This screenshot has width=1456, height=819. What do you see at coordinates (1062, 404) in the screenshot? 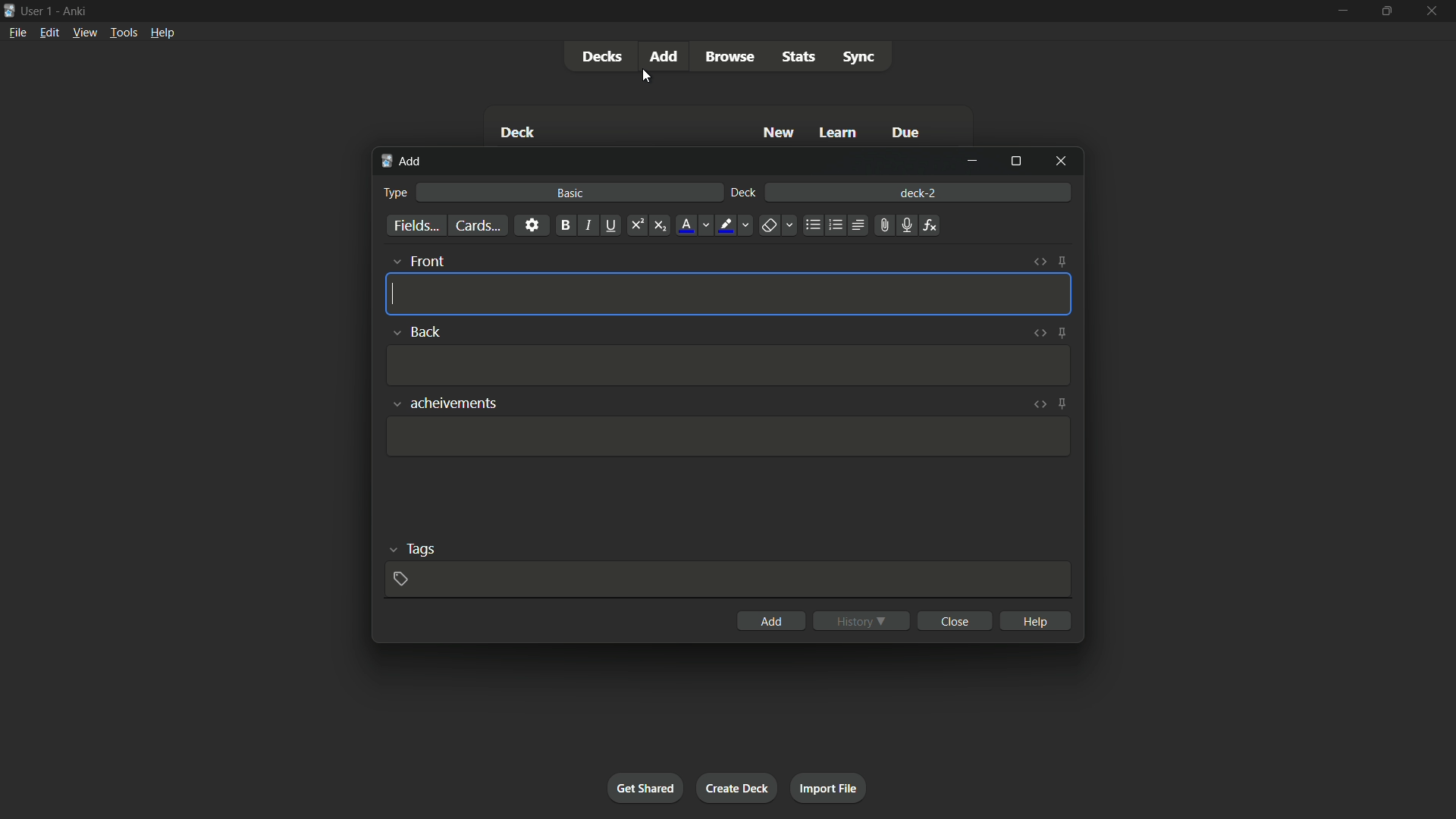
I see `toggle sticky` at bounding box center [1062, 404].